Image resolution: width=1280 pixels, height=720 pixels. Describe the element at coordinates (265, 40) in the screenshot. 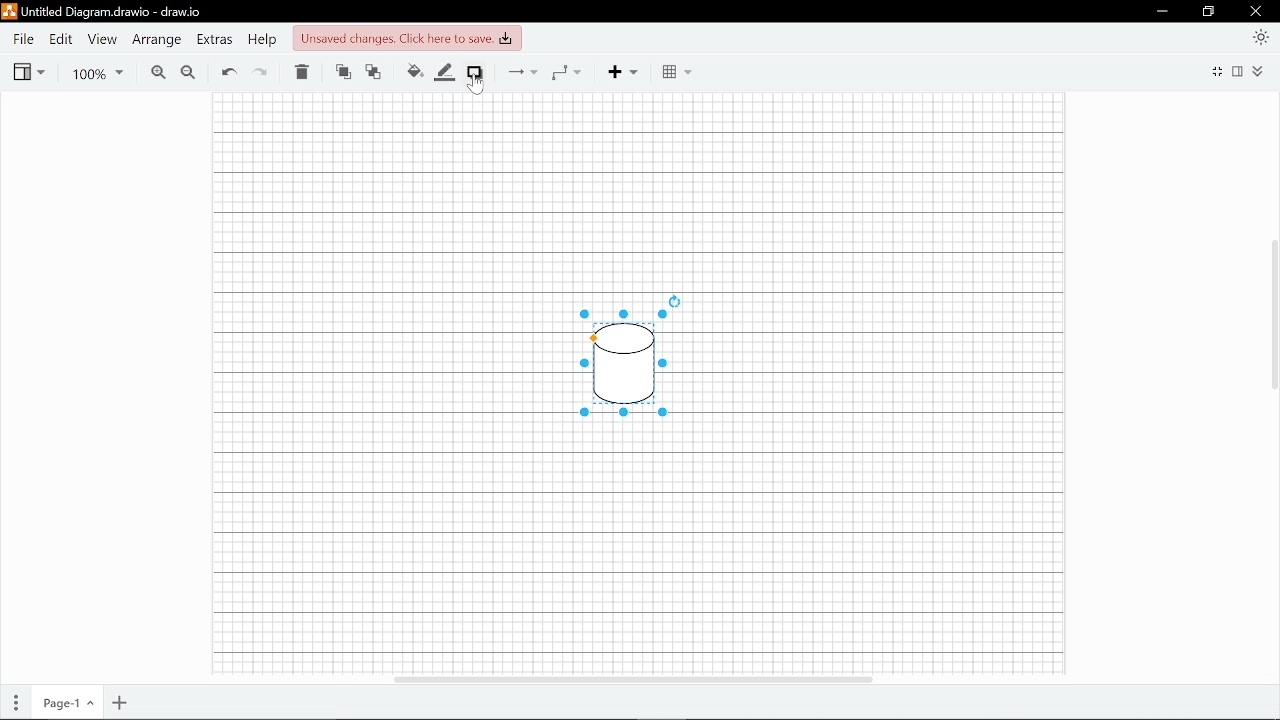

I see `Help` at that location.